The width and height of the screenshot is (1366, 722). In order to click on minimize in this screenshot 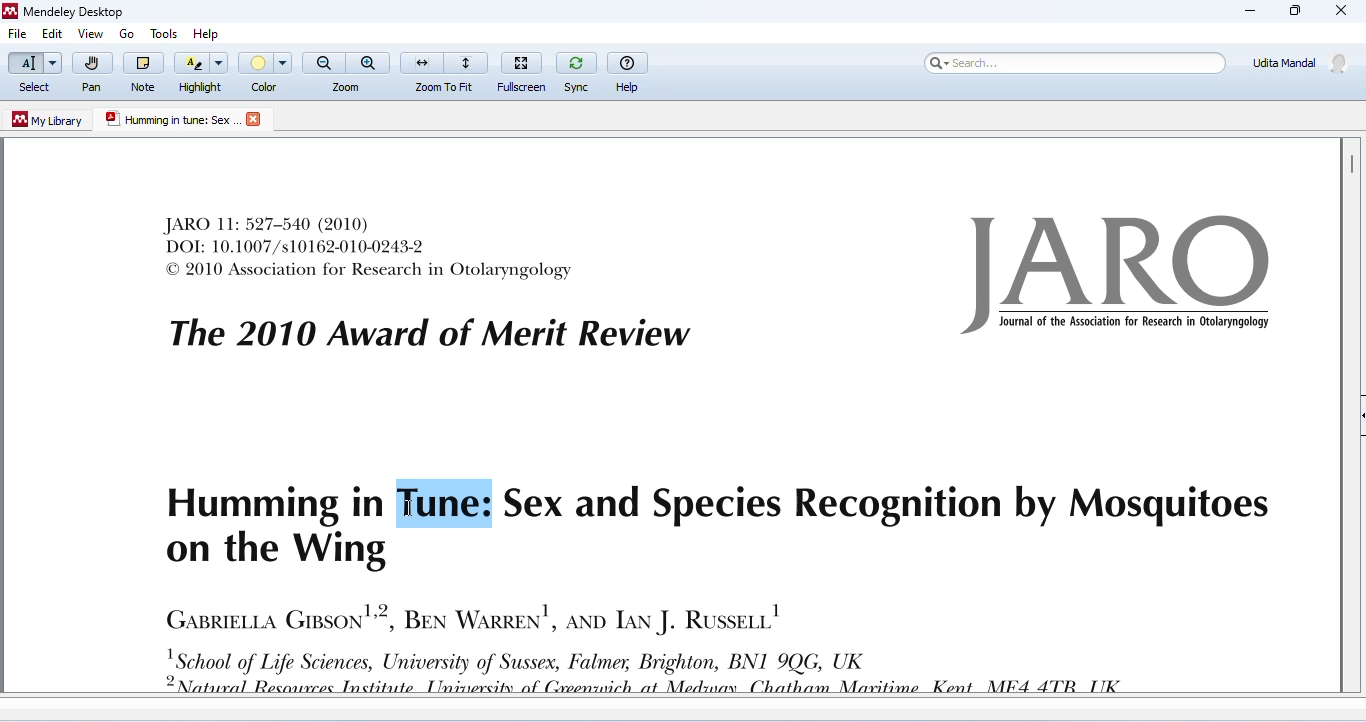, I will do `click(1250, 11)`.